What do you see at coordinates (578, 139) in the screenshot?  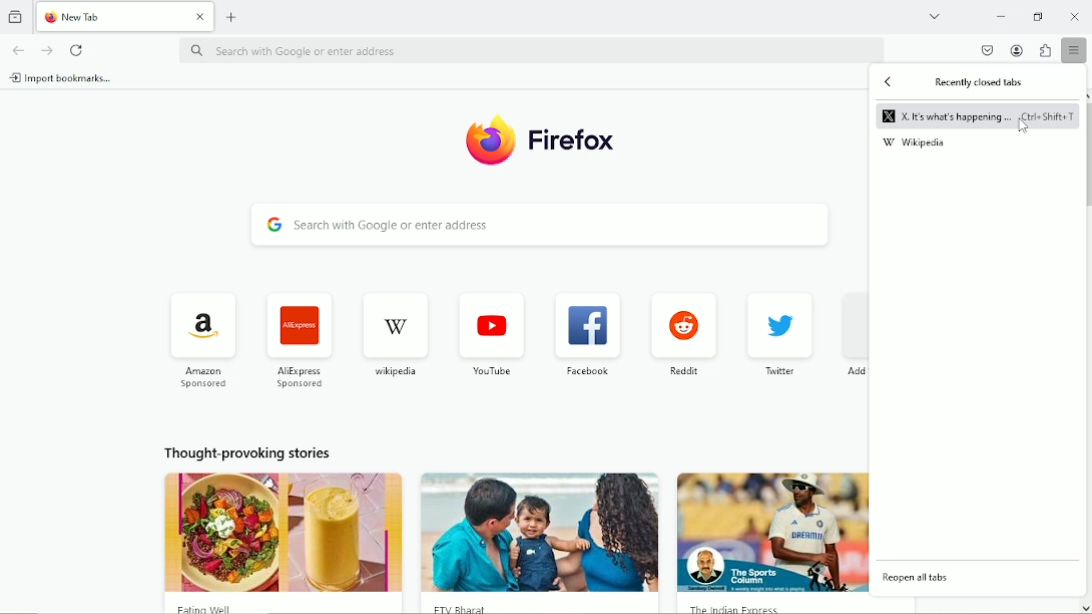 I see `Firefox` at bounding box center [578, 139].